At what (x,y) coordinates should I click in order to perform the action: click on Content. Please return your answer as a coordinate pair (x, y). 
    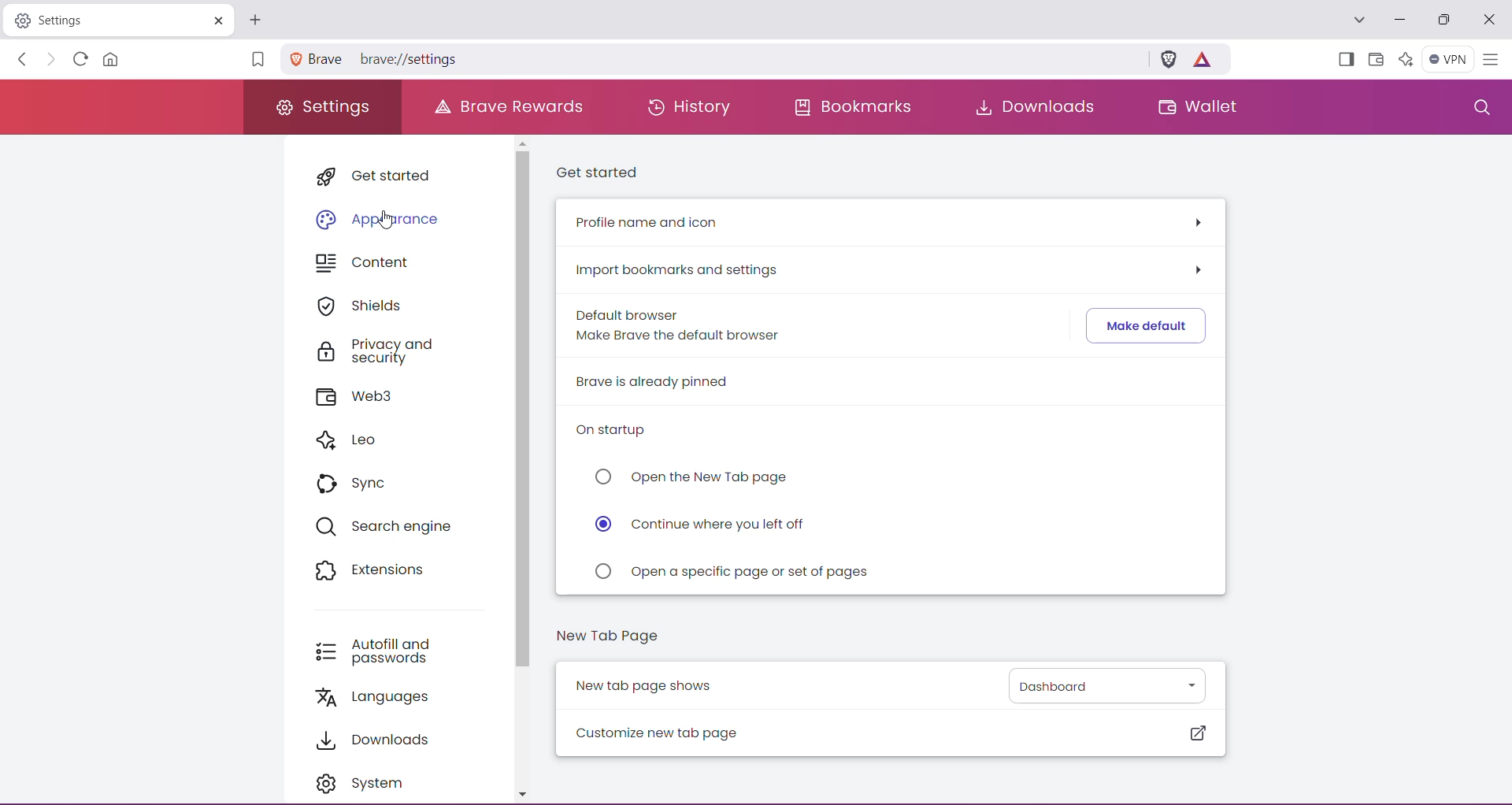
    Looking at the image, I should click on (363, 264).